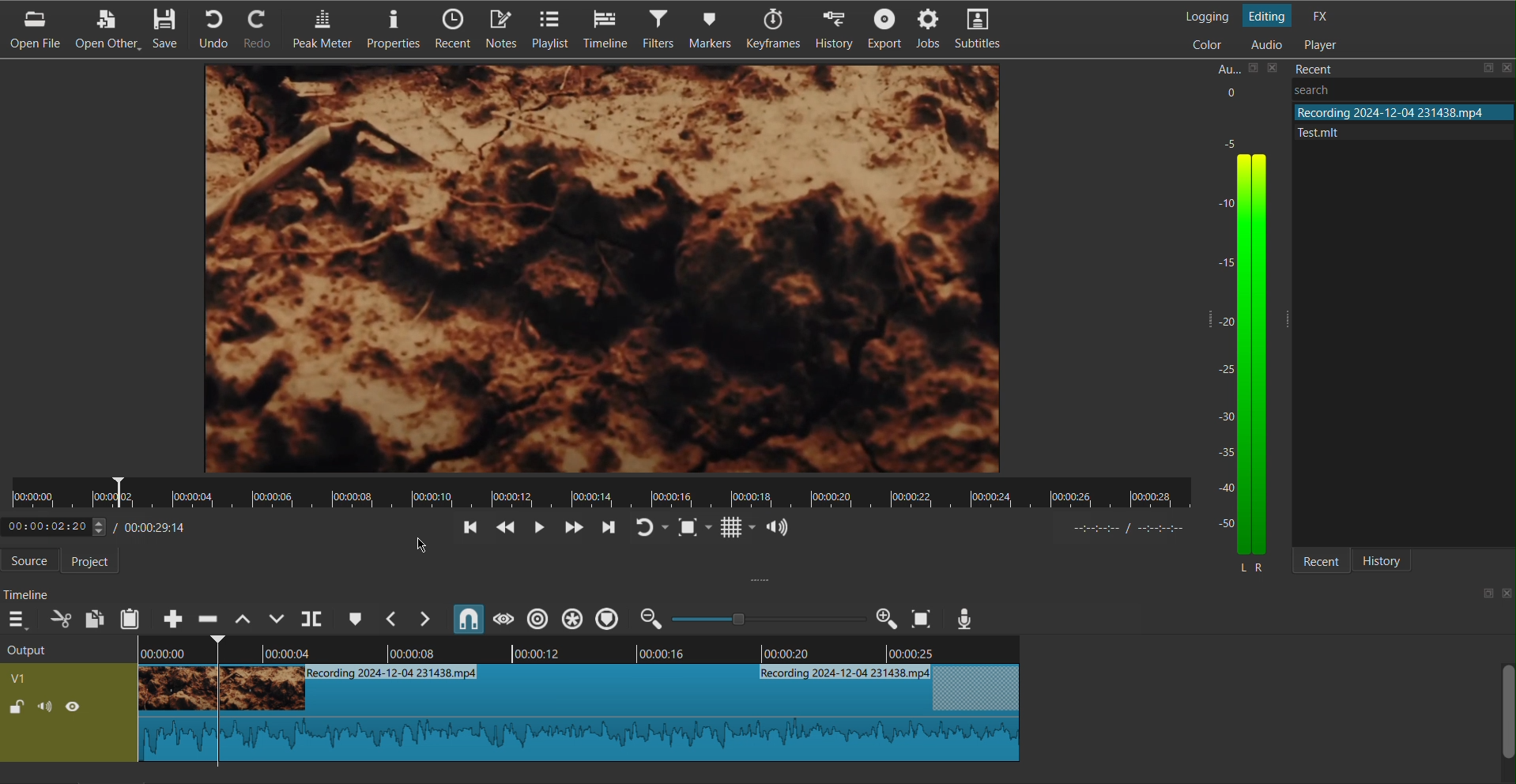 The height and width of the screenshot is (784, 1516). What do you see at coordinates (392, 618) in the screenshot?
I see `Previous Marker` at bounding box center [392, 618].